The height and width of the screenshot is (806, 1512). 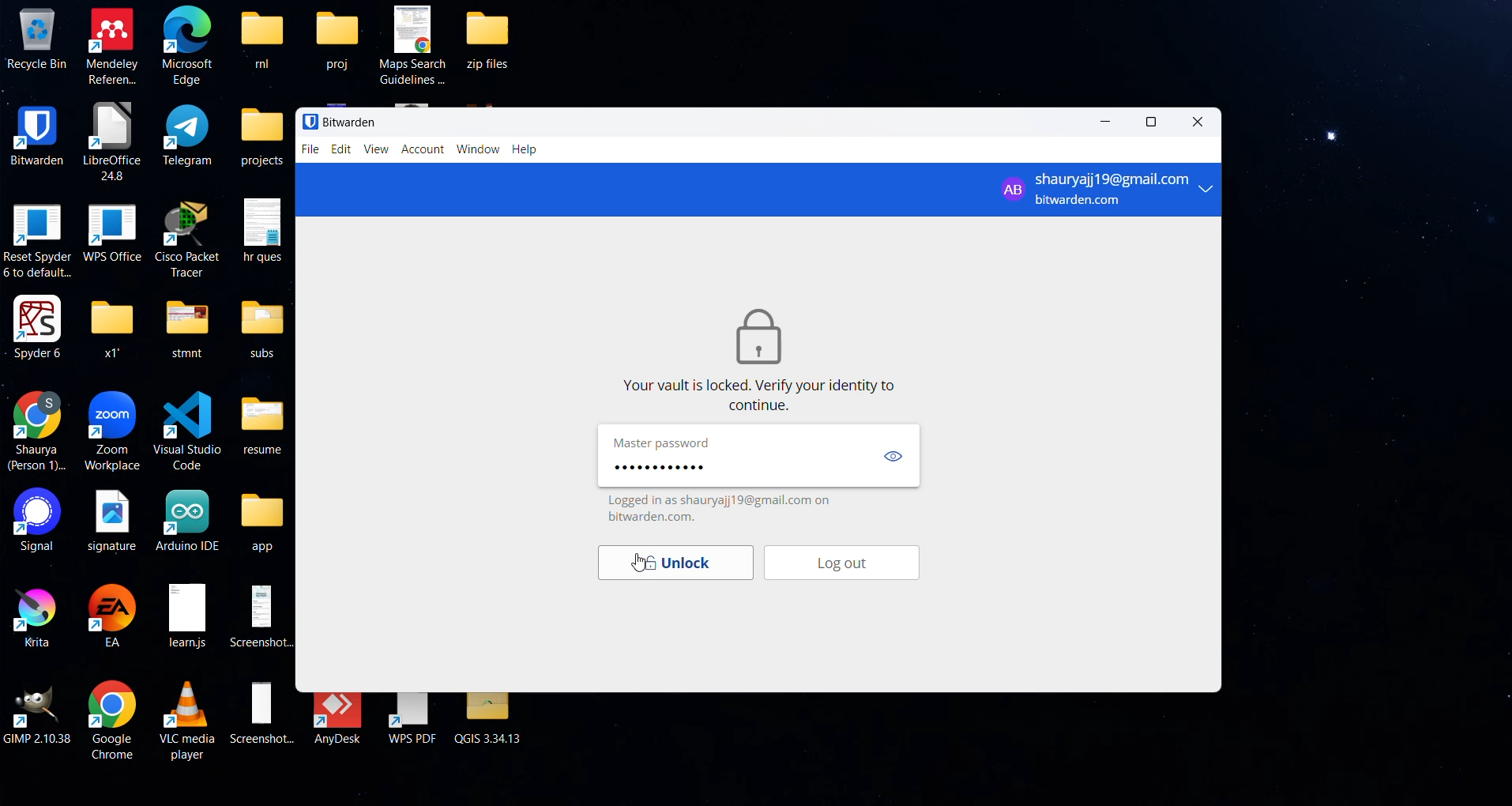 I want to click on resume, so click(x=264, y=421).